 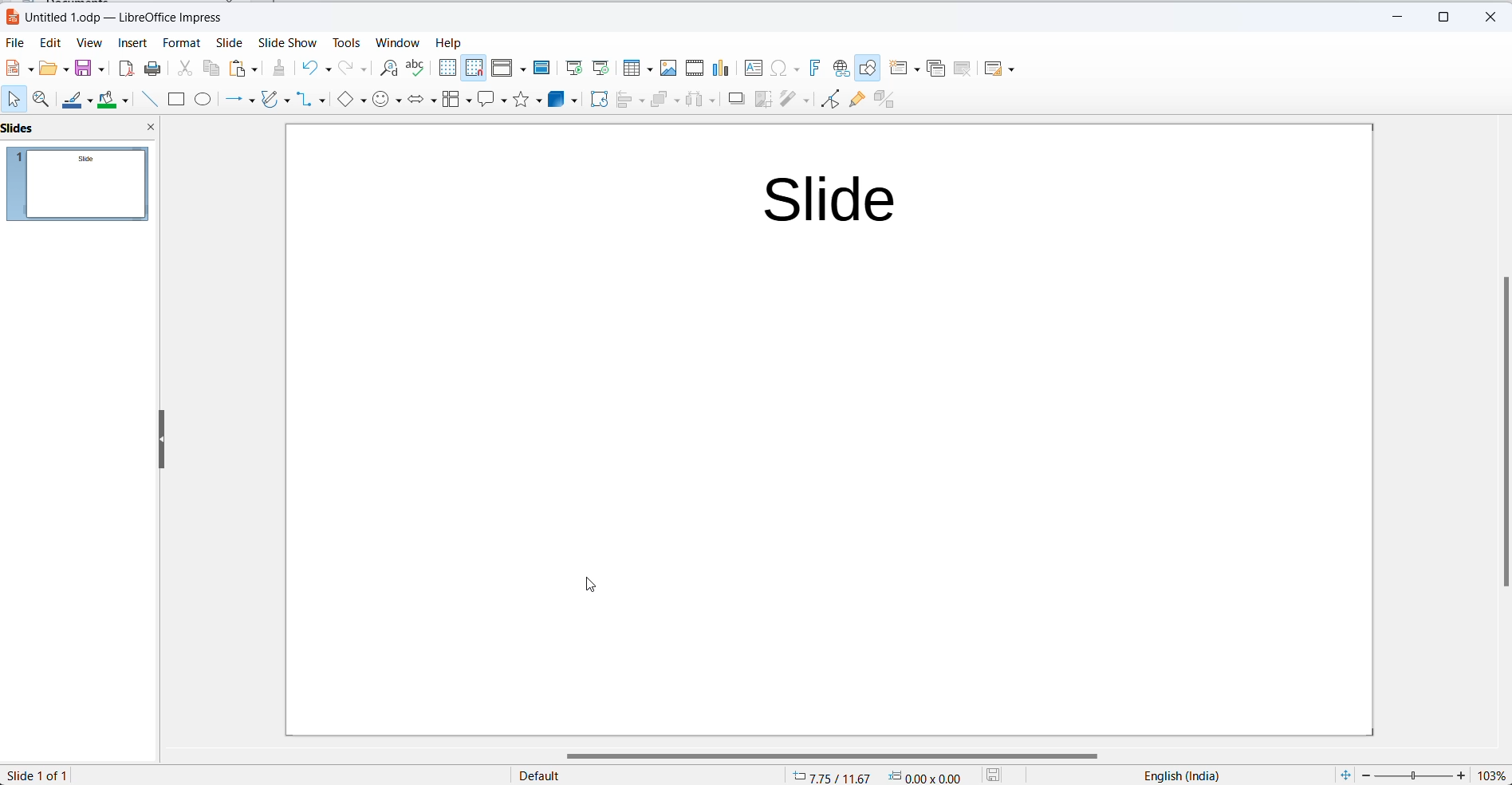 What do you see at coordinates (963, 68) in the screenshot?
I see `delete slide` at bounding box center [963, 68].